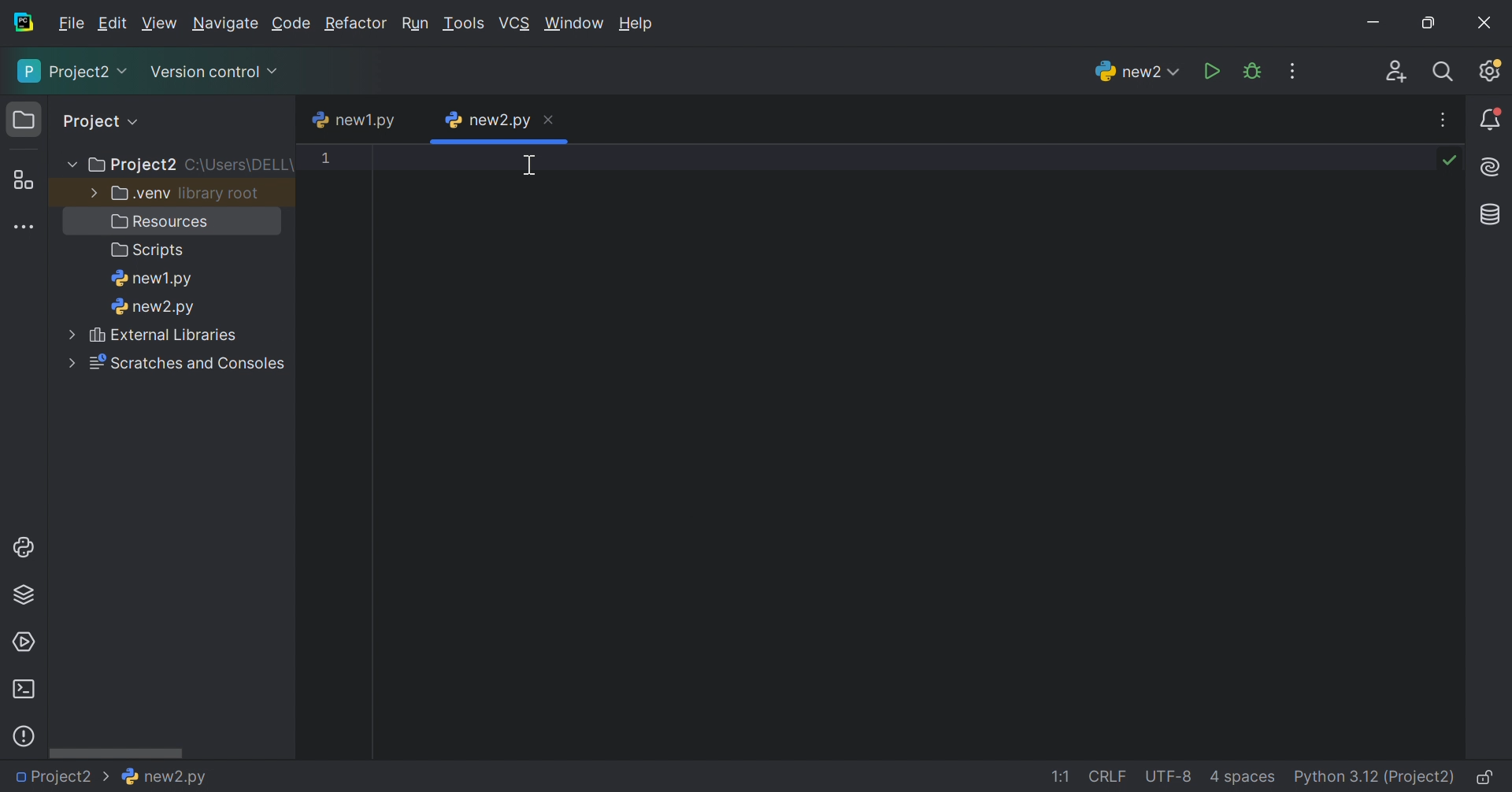 The image size is (1512, 792). Describe the element at coordinates (353, 121) in the screenshot. I see `new1.py` at that location.